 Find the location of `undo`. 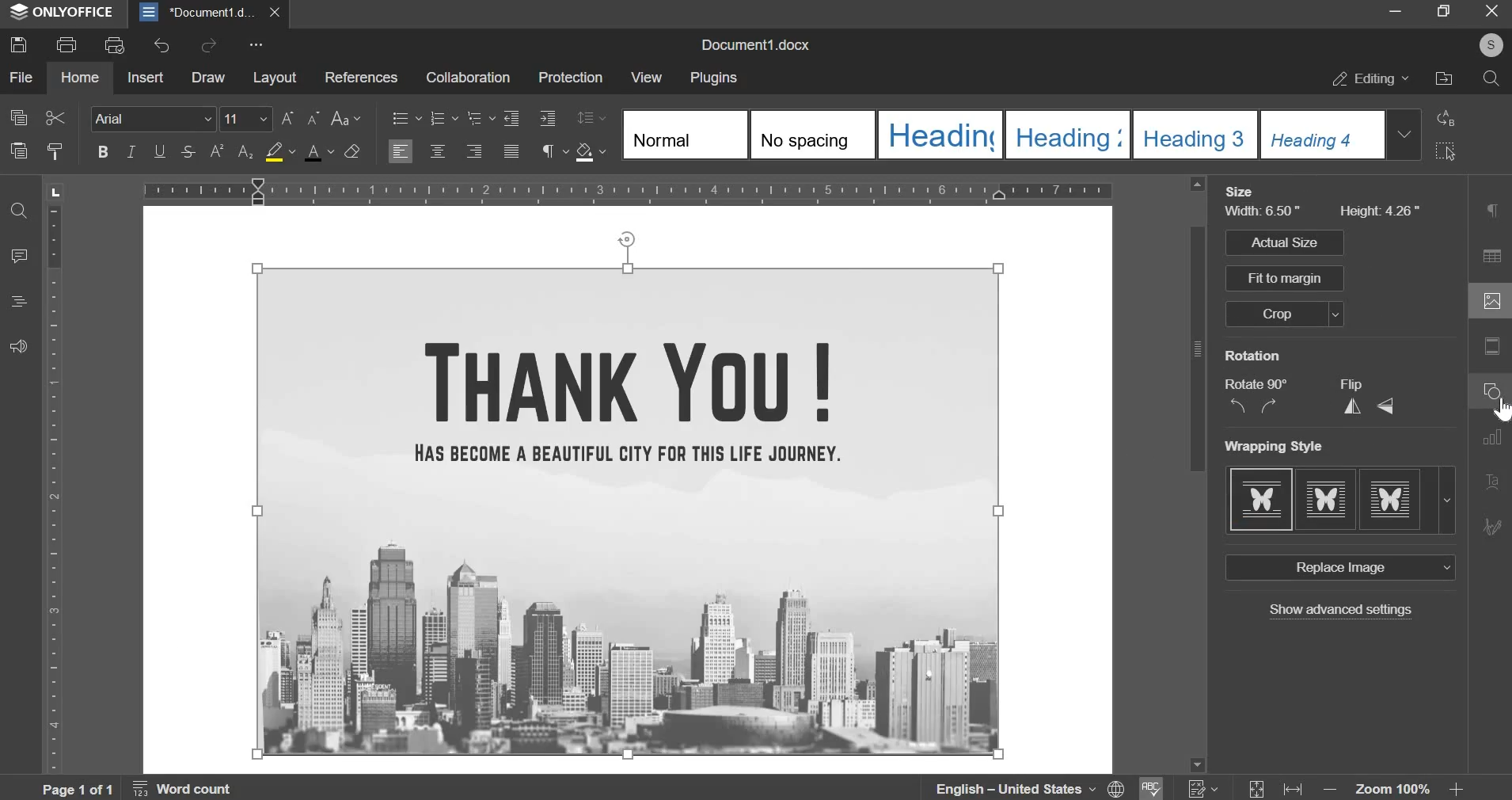

undo is located at coordinates (160, 45).